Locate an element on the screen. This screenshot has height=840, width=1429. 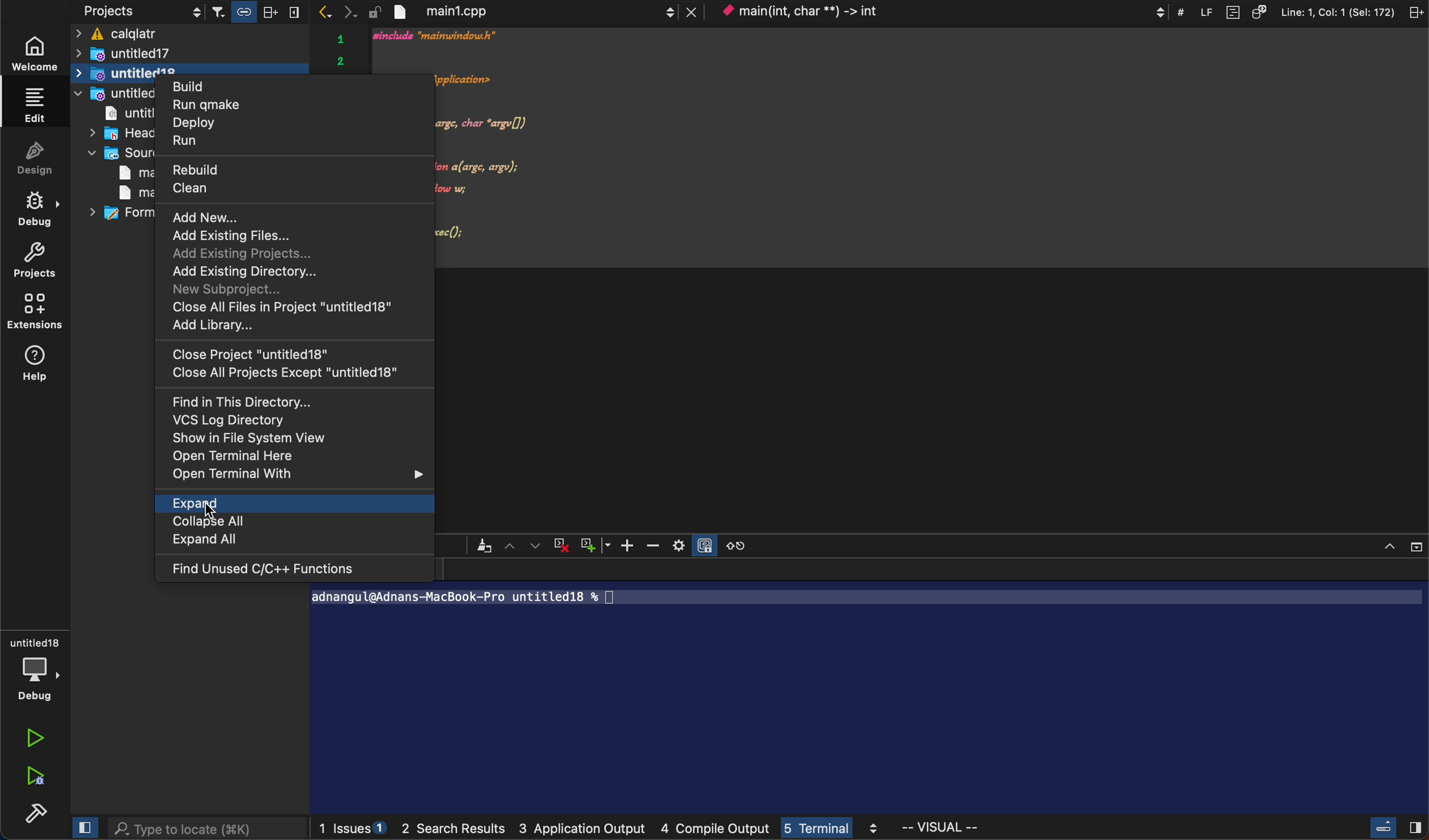
find is located at coordinates (260, 402).